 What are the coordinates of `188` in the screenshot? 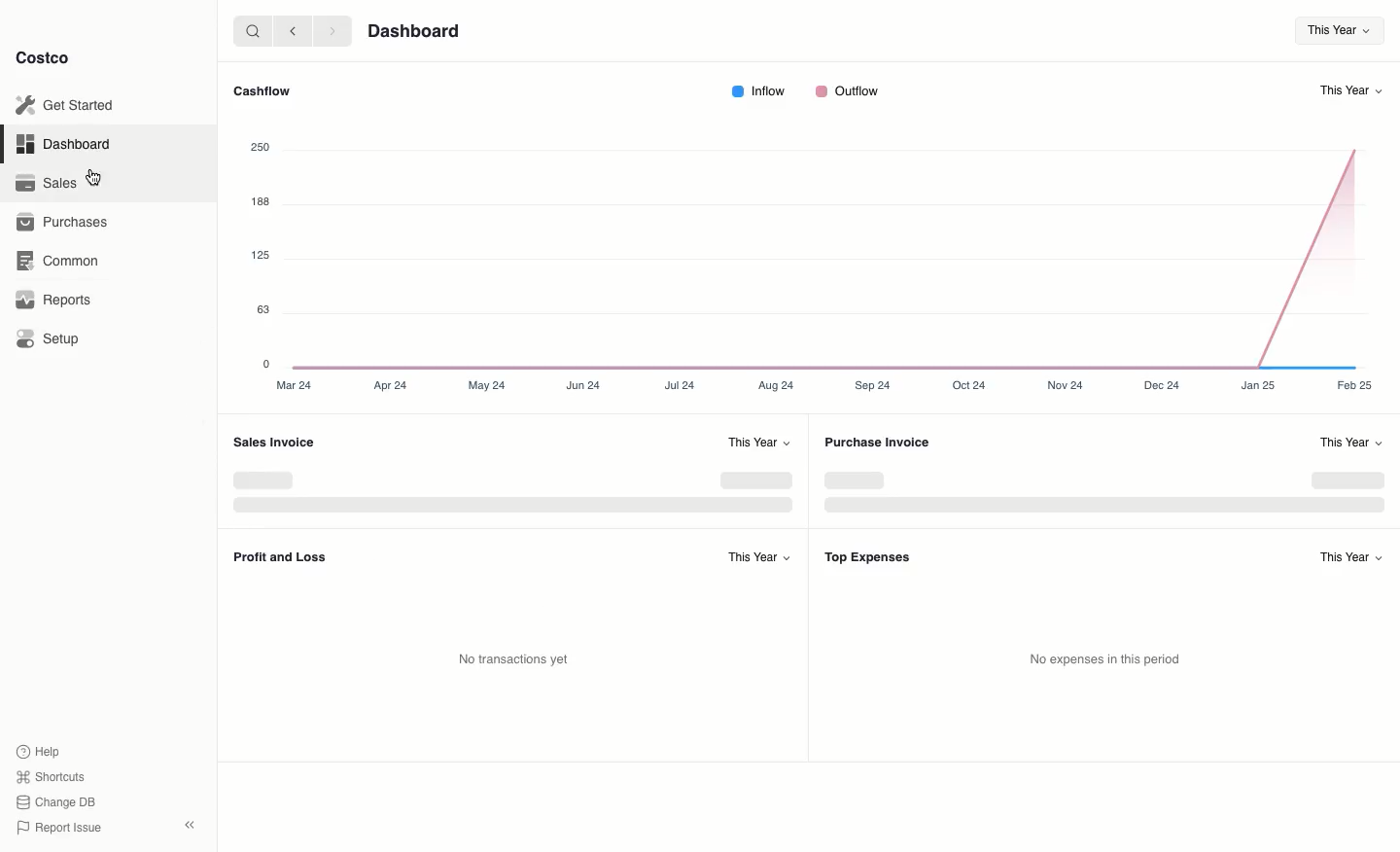 It's located at (260, 201).